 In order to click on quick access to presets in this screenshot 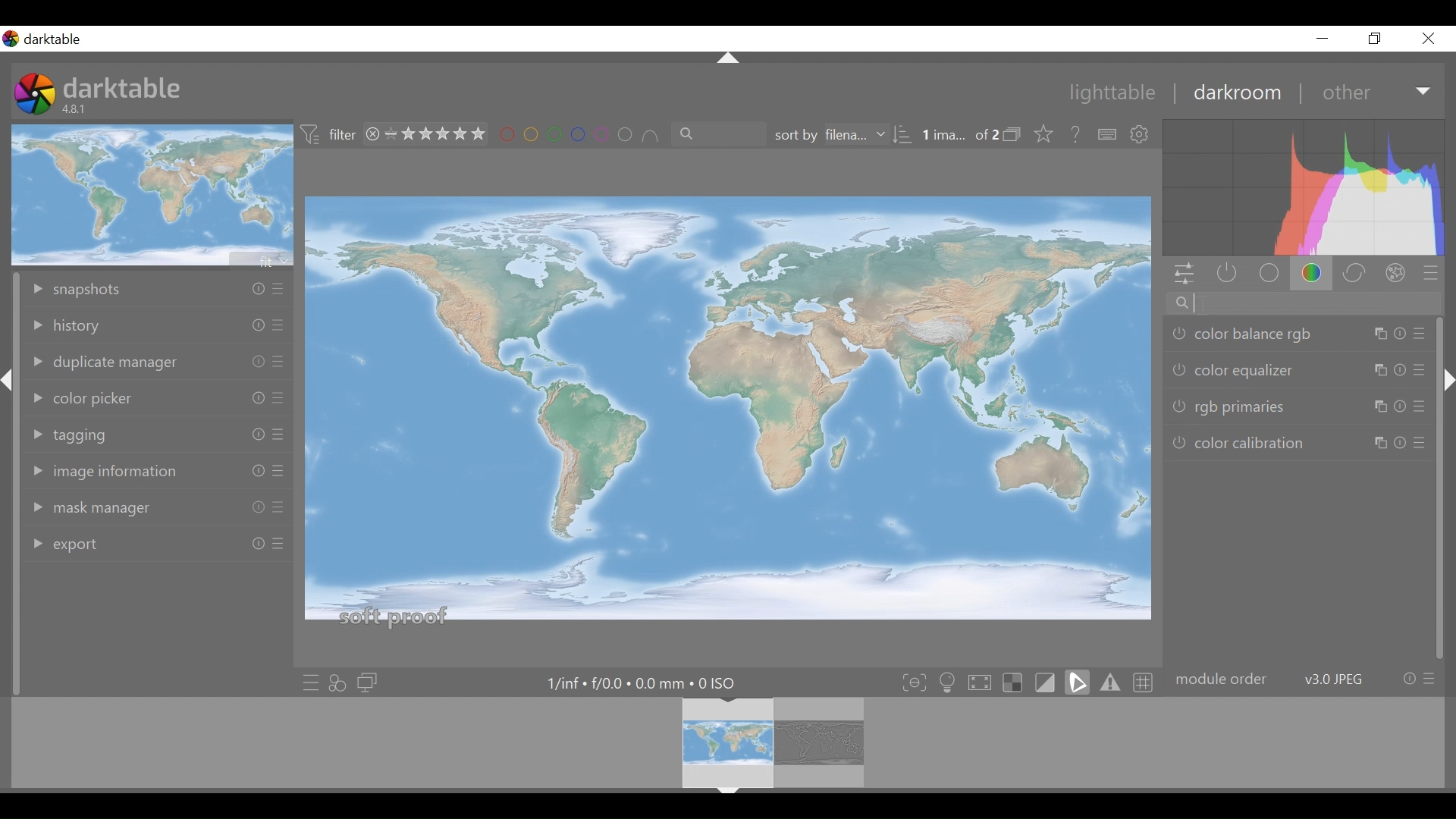, I will do `click(307, 683)`.